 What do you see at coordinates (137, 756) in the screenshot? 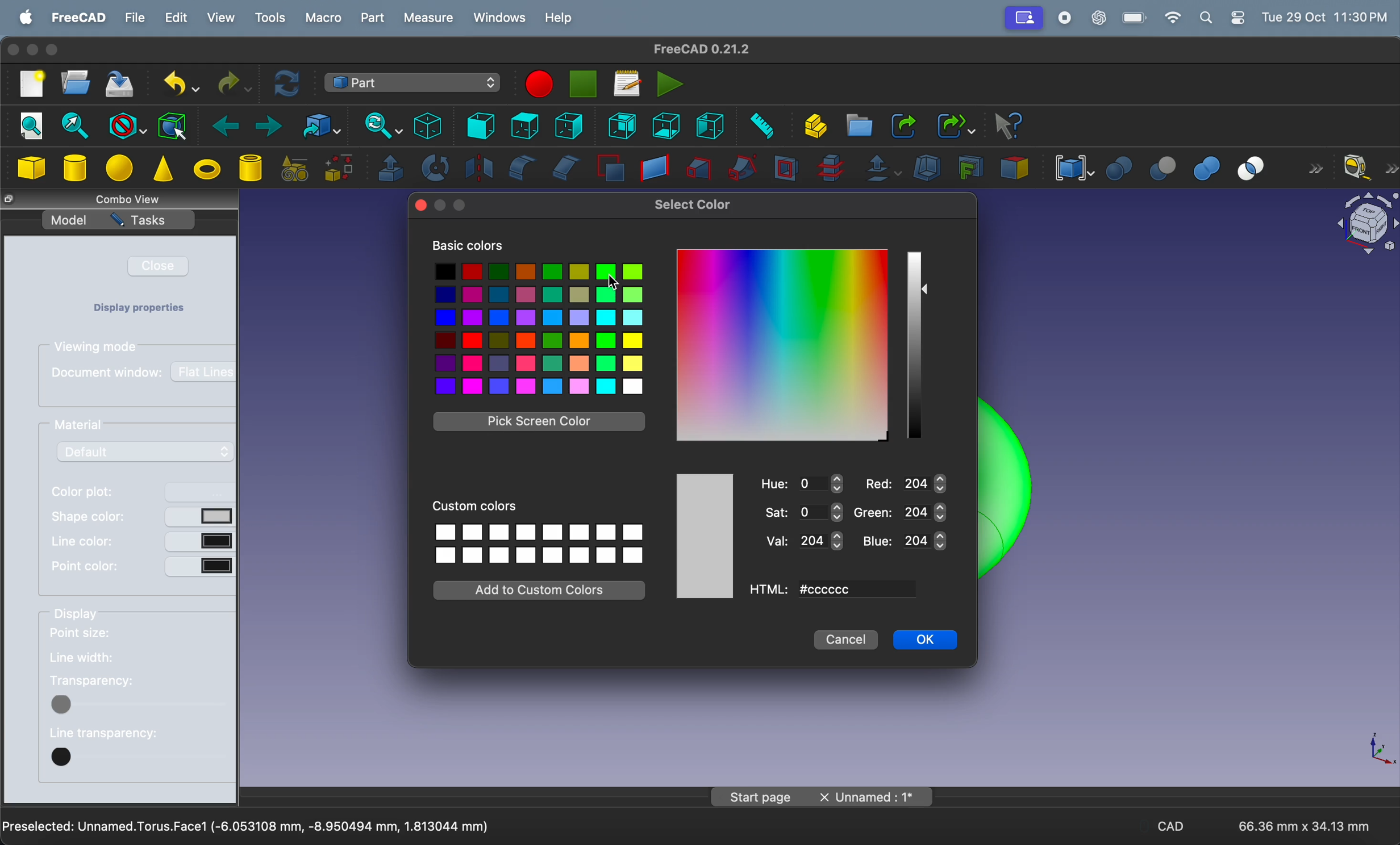
I see `button` at bounding box center [137, 756].